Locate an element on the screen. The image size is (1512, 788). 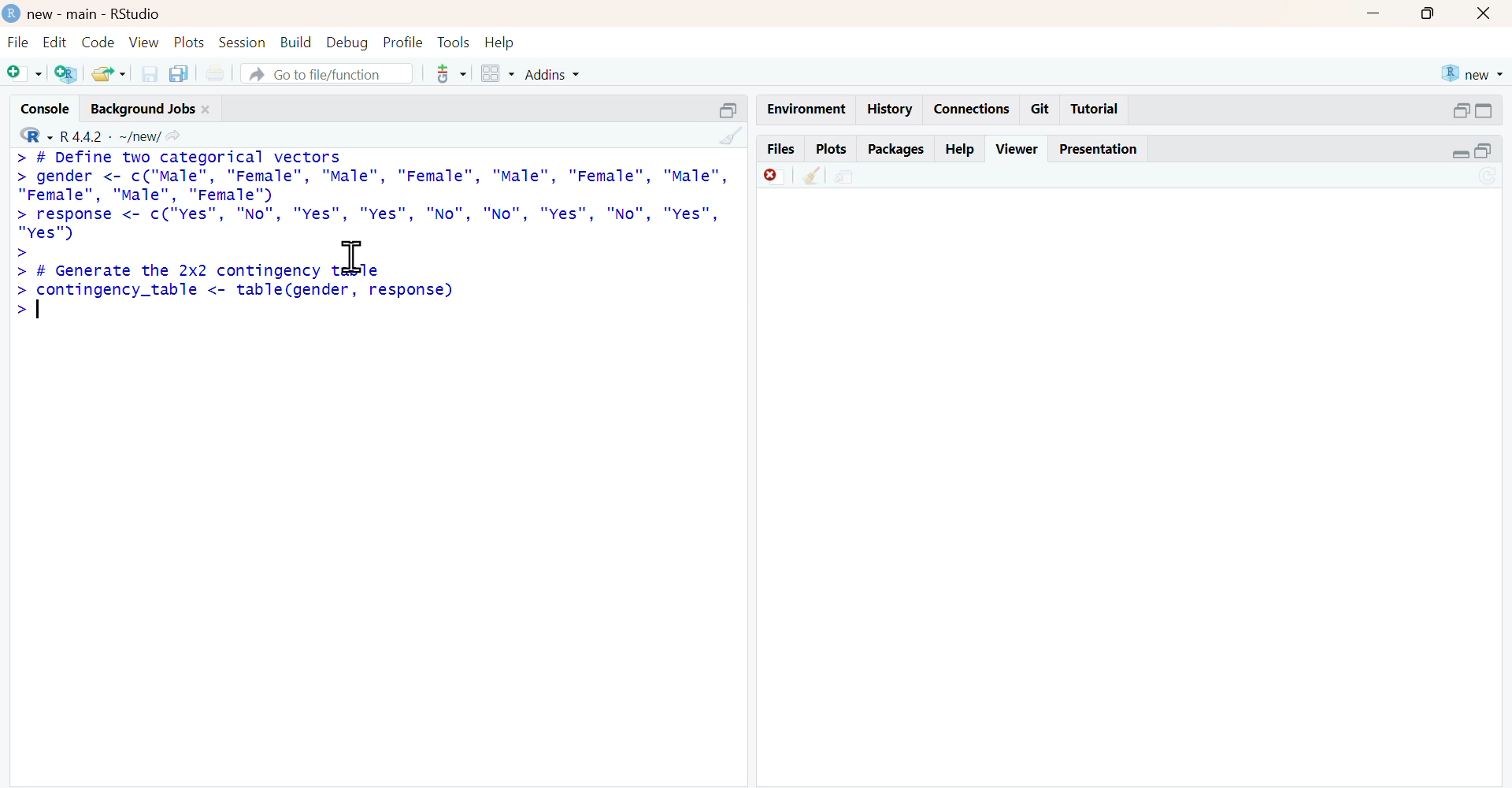
maximise is located at coordinates (1427, 15).